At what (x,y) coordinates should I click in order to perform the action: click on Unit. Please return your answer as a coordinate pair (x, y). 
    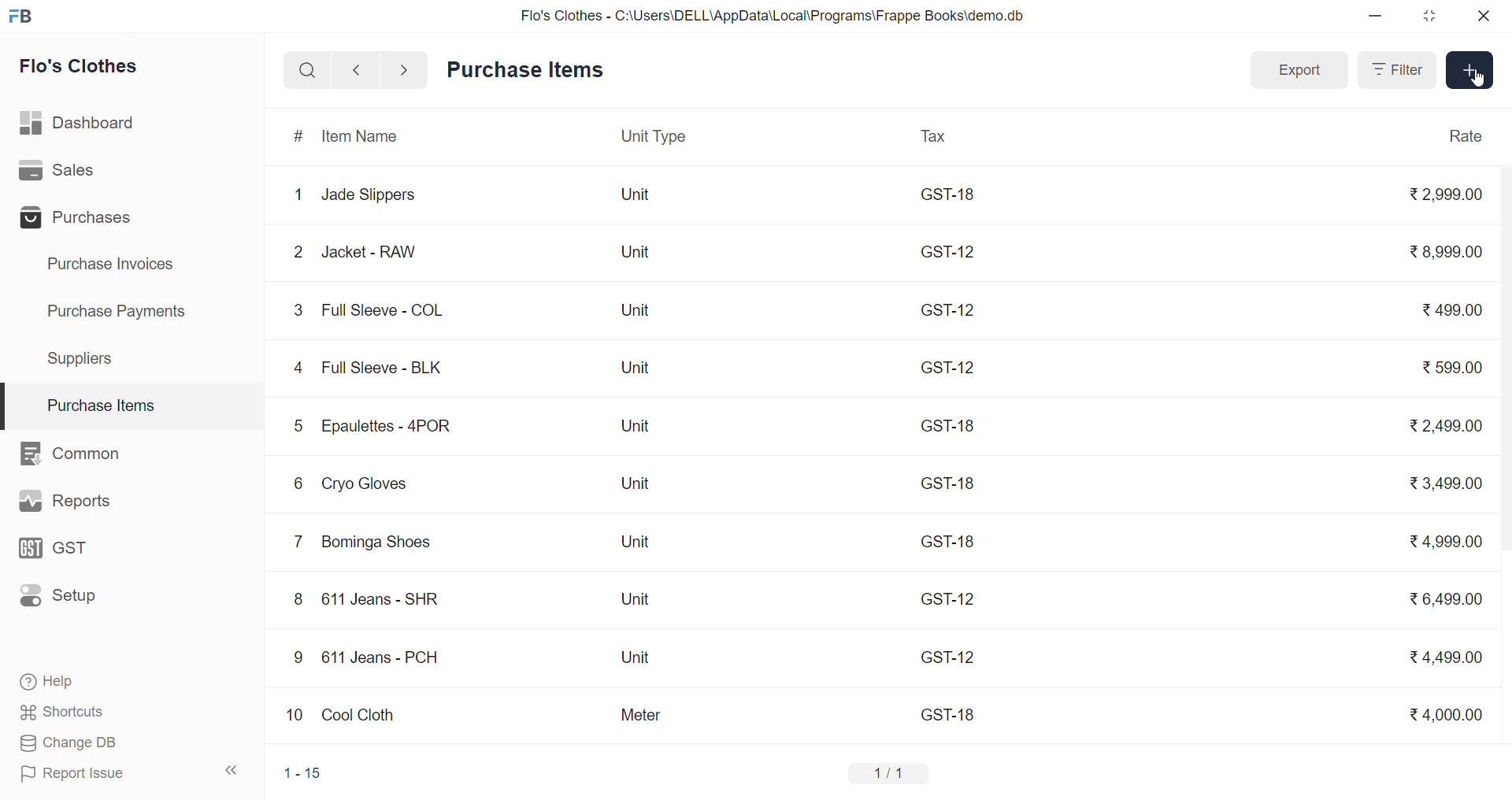
    Looking at the image, I should click on (636, 487).